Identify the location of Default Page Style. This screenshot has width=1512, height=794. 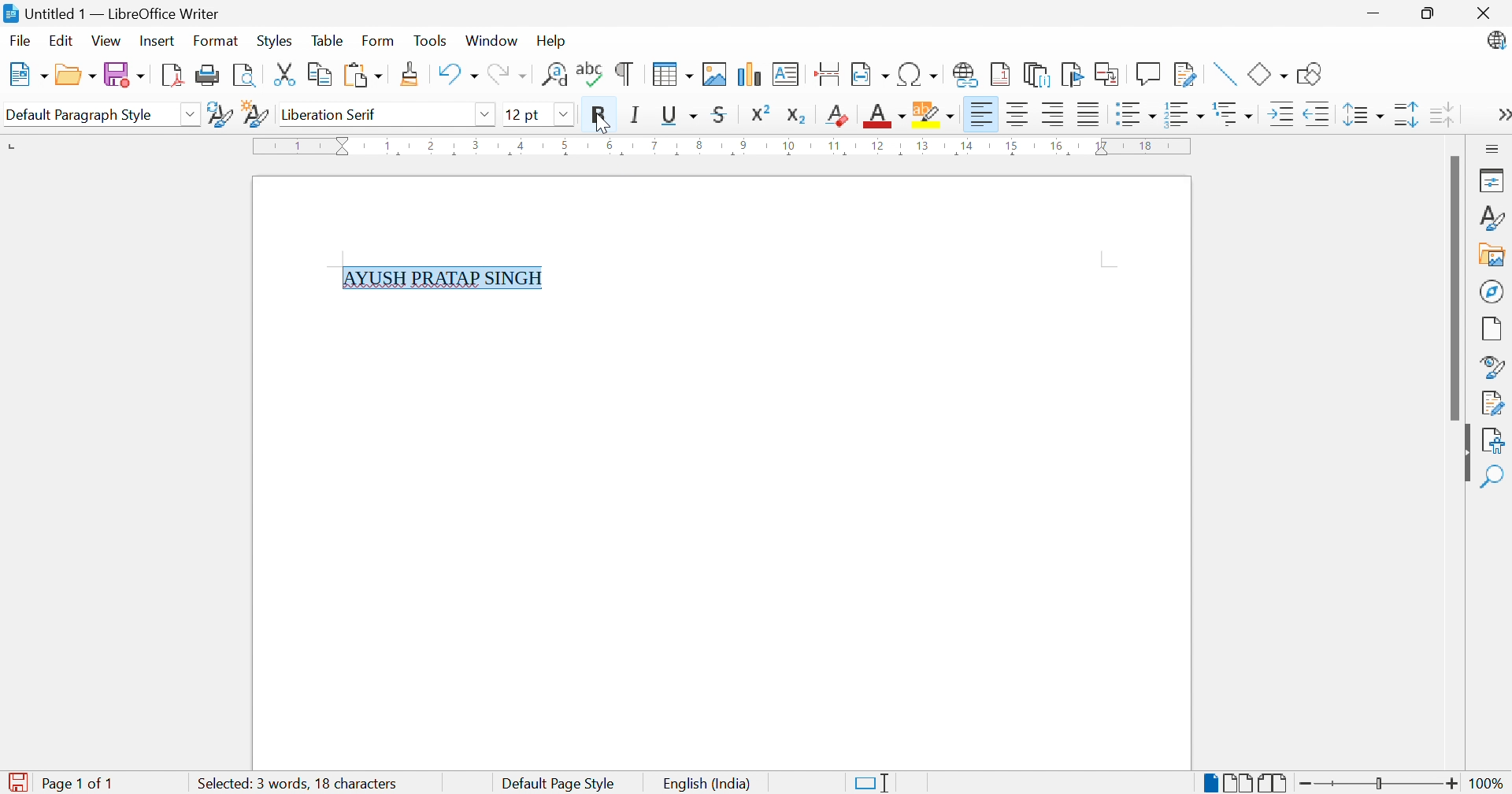
(561, 782).